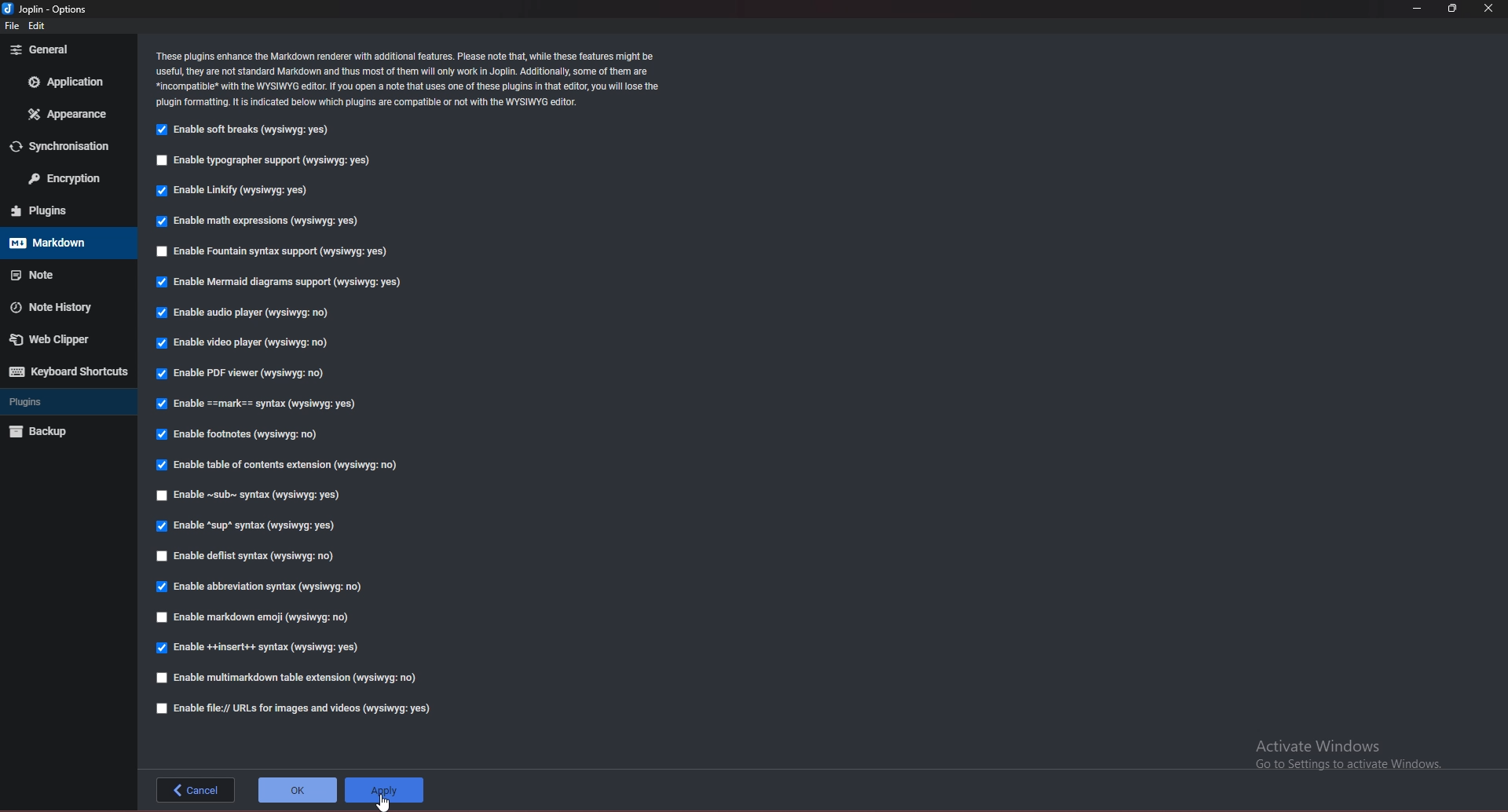  Describe the element at coordinates (64, 402) in the screenshot. I see `plugins` at that location.